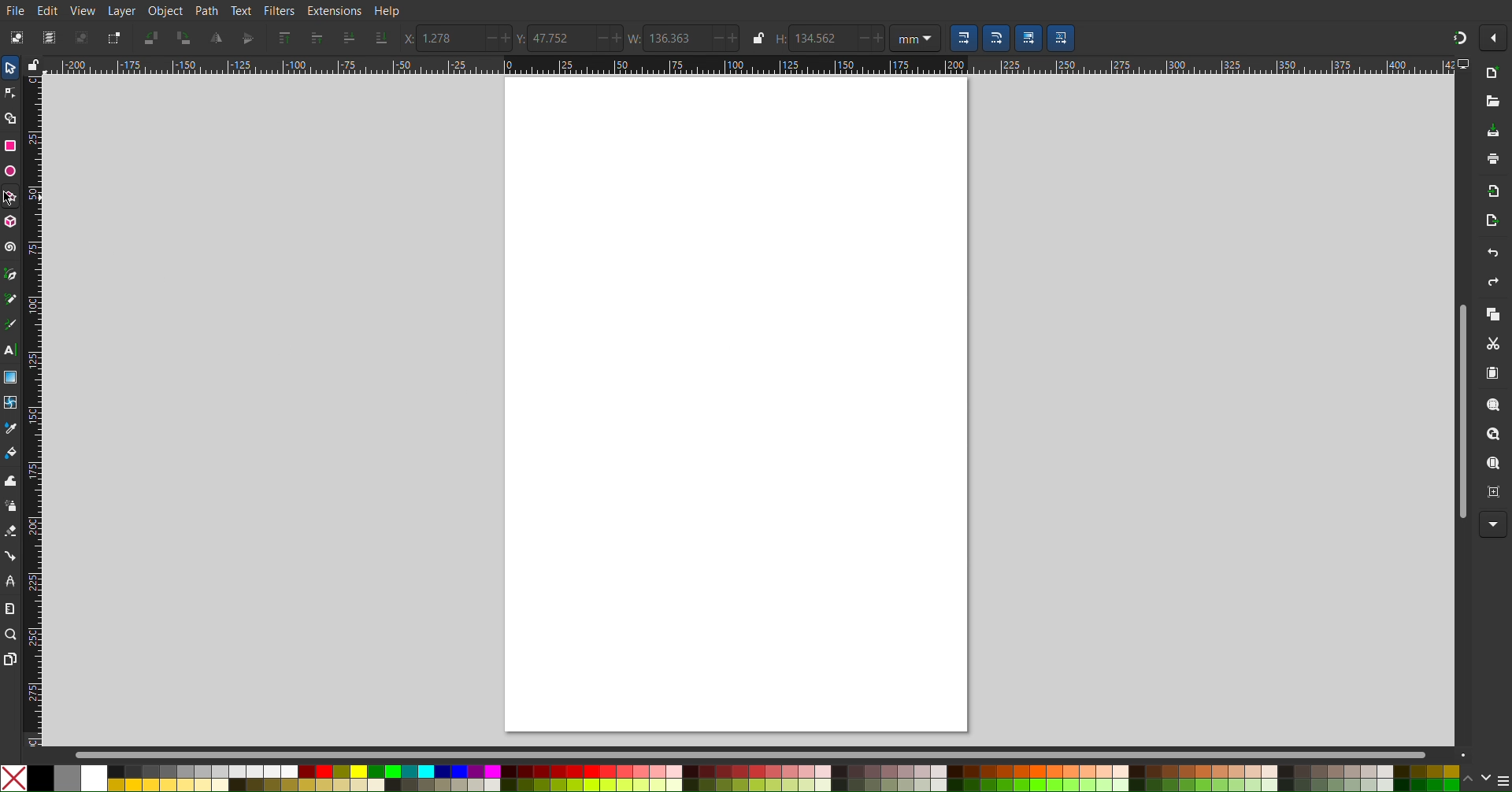 This screenshot has width=1512, height=792. What do you see at coordinates (11, 429) in the screenshot?
I see `Color Picker` at bounding box center [11, 429].